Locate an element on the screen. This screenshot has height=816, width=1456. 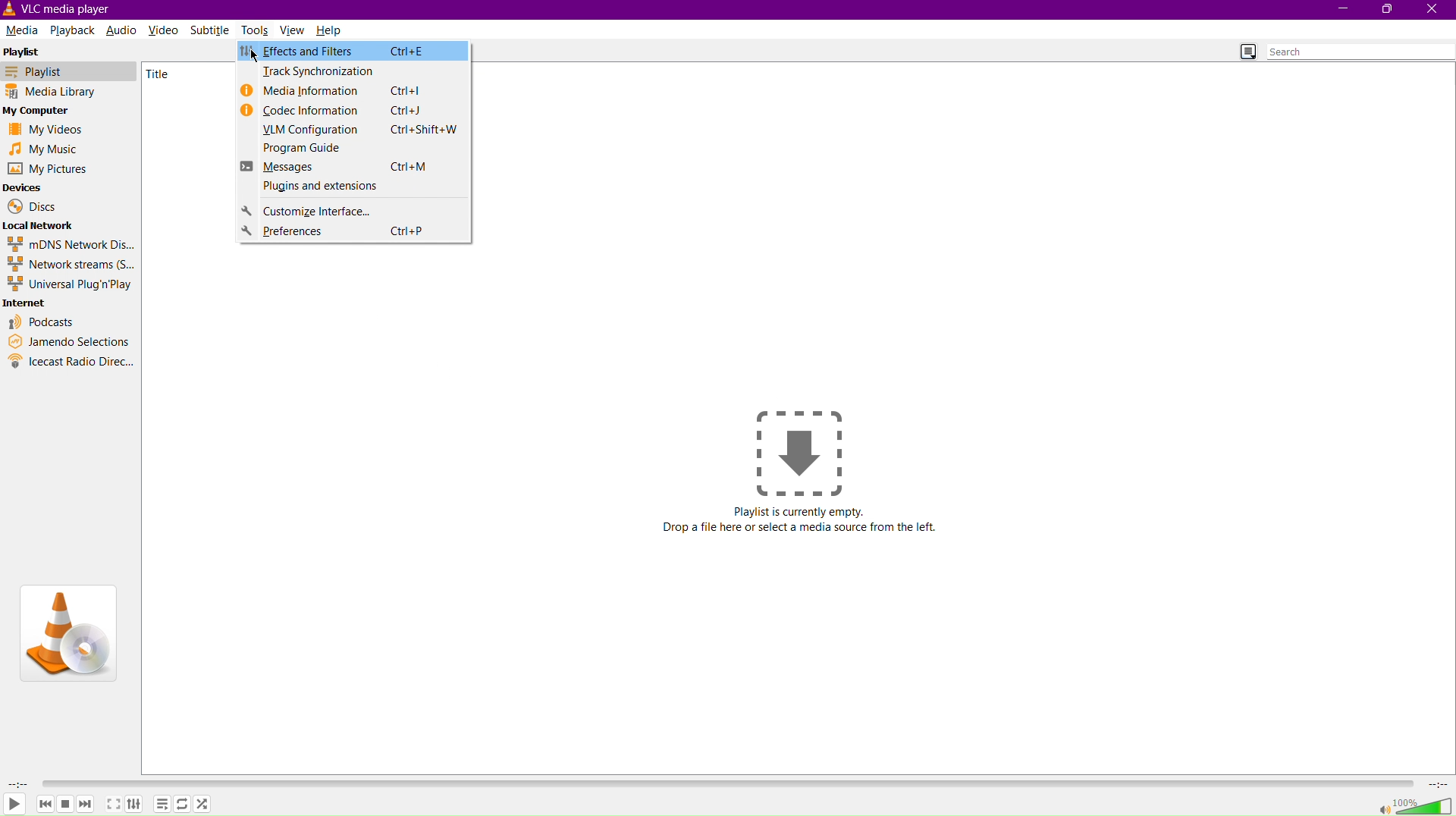
Shuffle is located at coordinates (204, 805).